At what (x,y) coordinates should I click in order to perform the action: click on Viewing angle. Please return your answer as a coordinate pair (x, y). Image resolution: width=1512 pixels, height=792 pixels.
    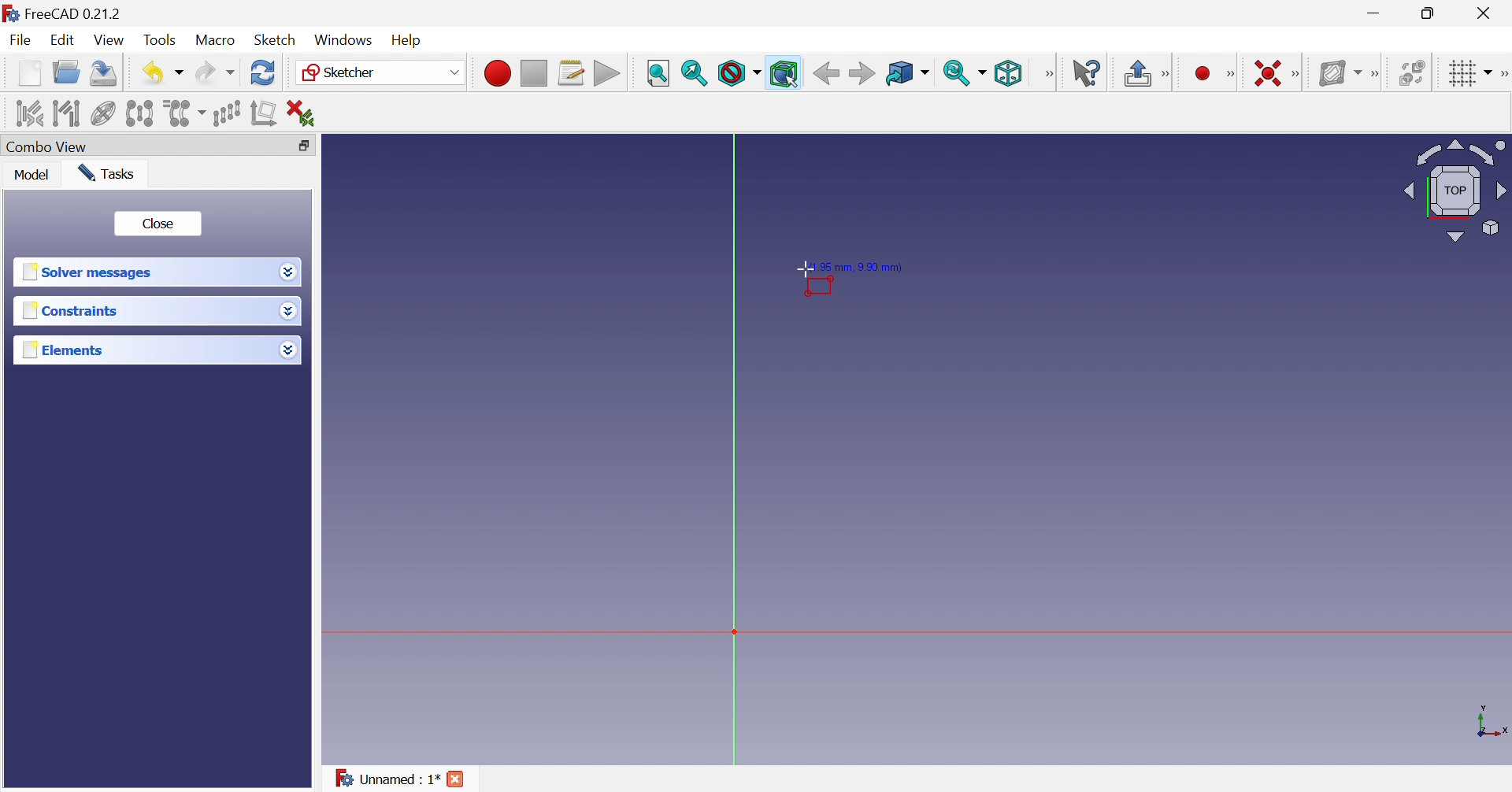
    Looking at the image, I should click on (1455, 192).